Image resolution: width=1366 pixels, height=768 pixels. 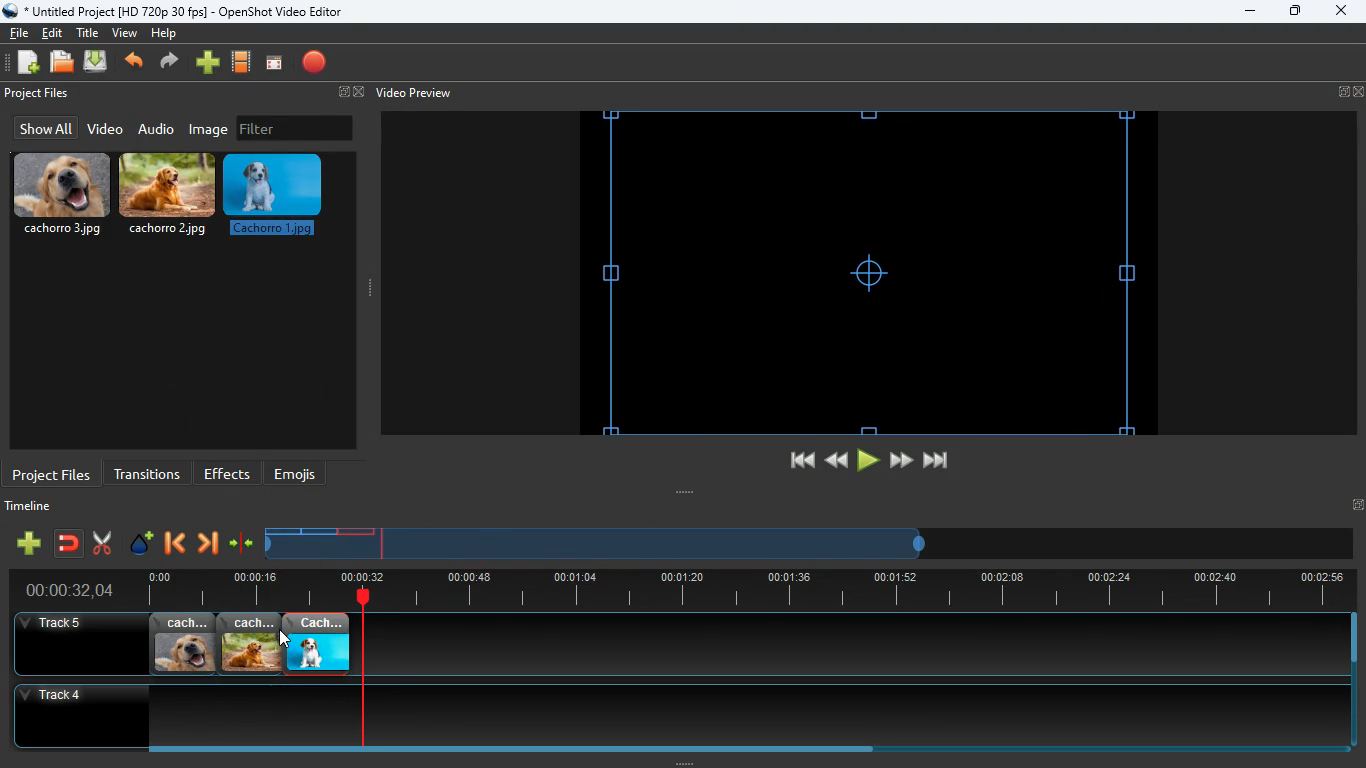 I want to click on cachorro.1.jpg, so click(x=277, y=201).